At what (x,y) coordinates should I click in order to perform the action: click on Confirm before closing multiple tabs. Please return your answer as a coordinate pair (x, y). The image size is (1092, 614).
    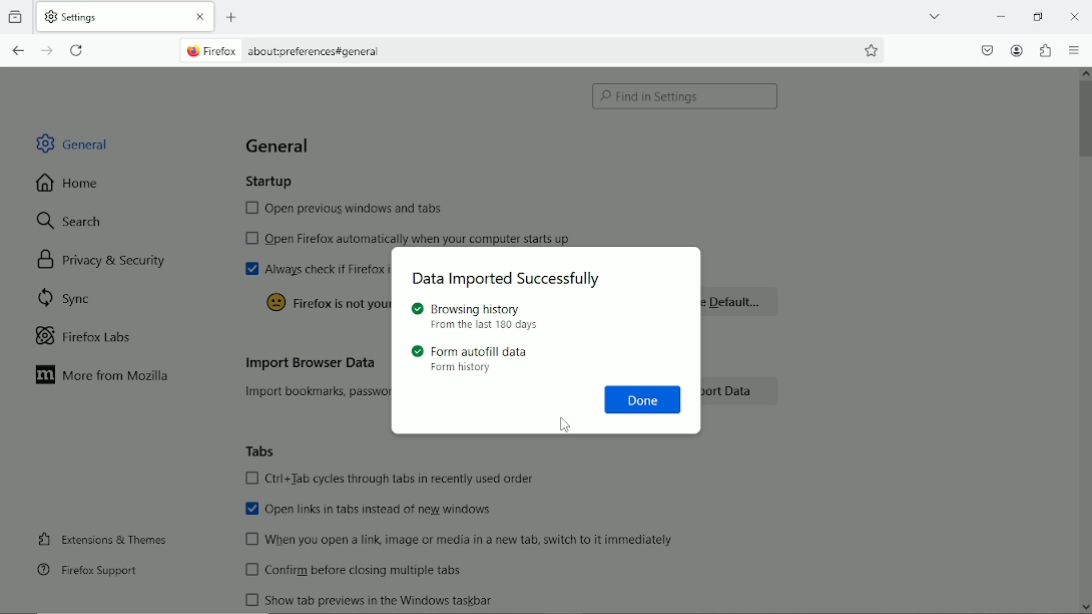
    Looking at the image, I should click on (353, 569).